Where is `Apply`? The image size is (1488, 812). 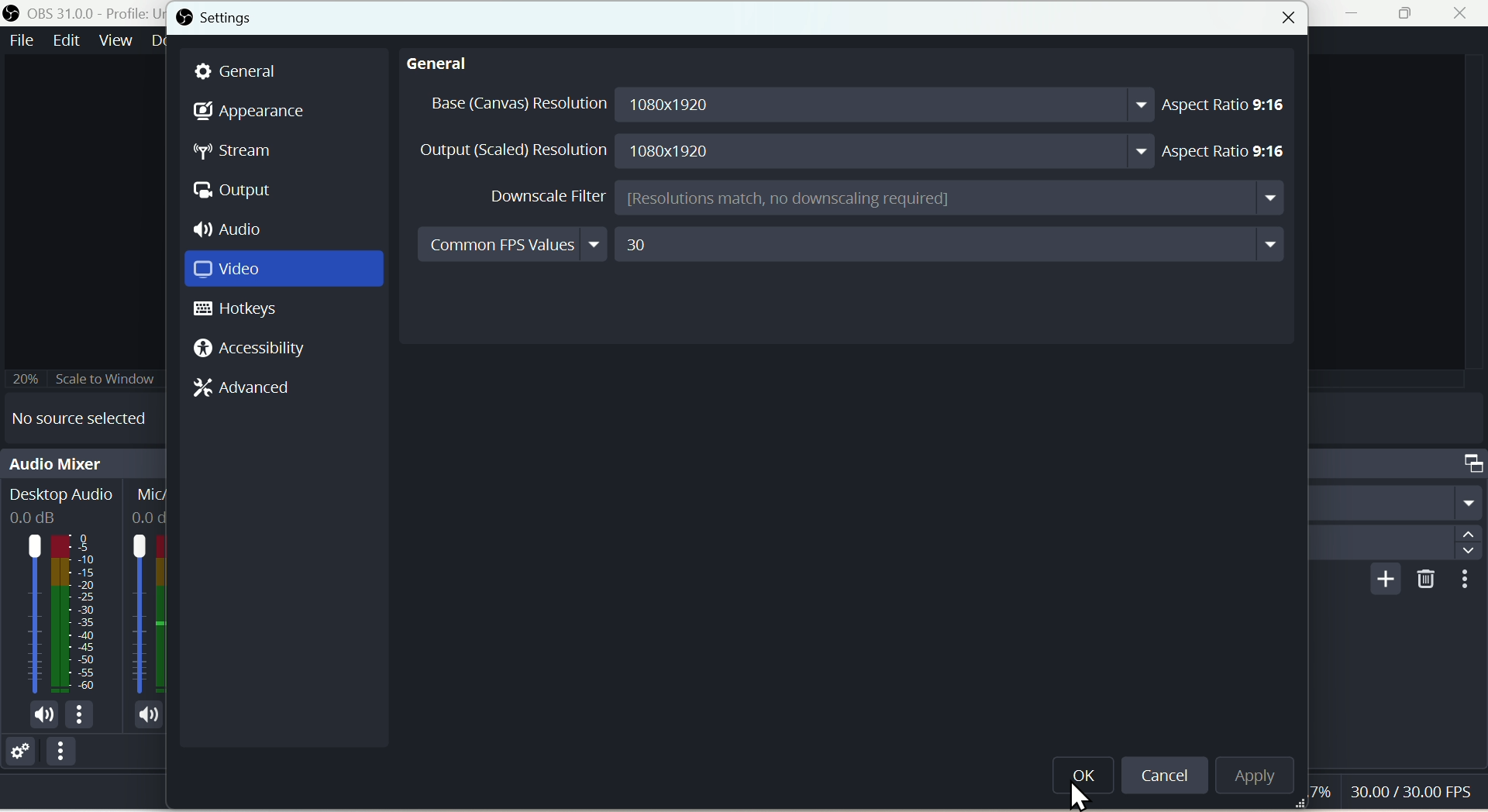
Apply is located at coordinates (1249, 773).